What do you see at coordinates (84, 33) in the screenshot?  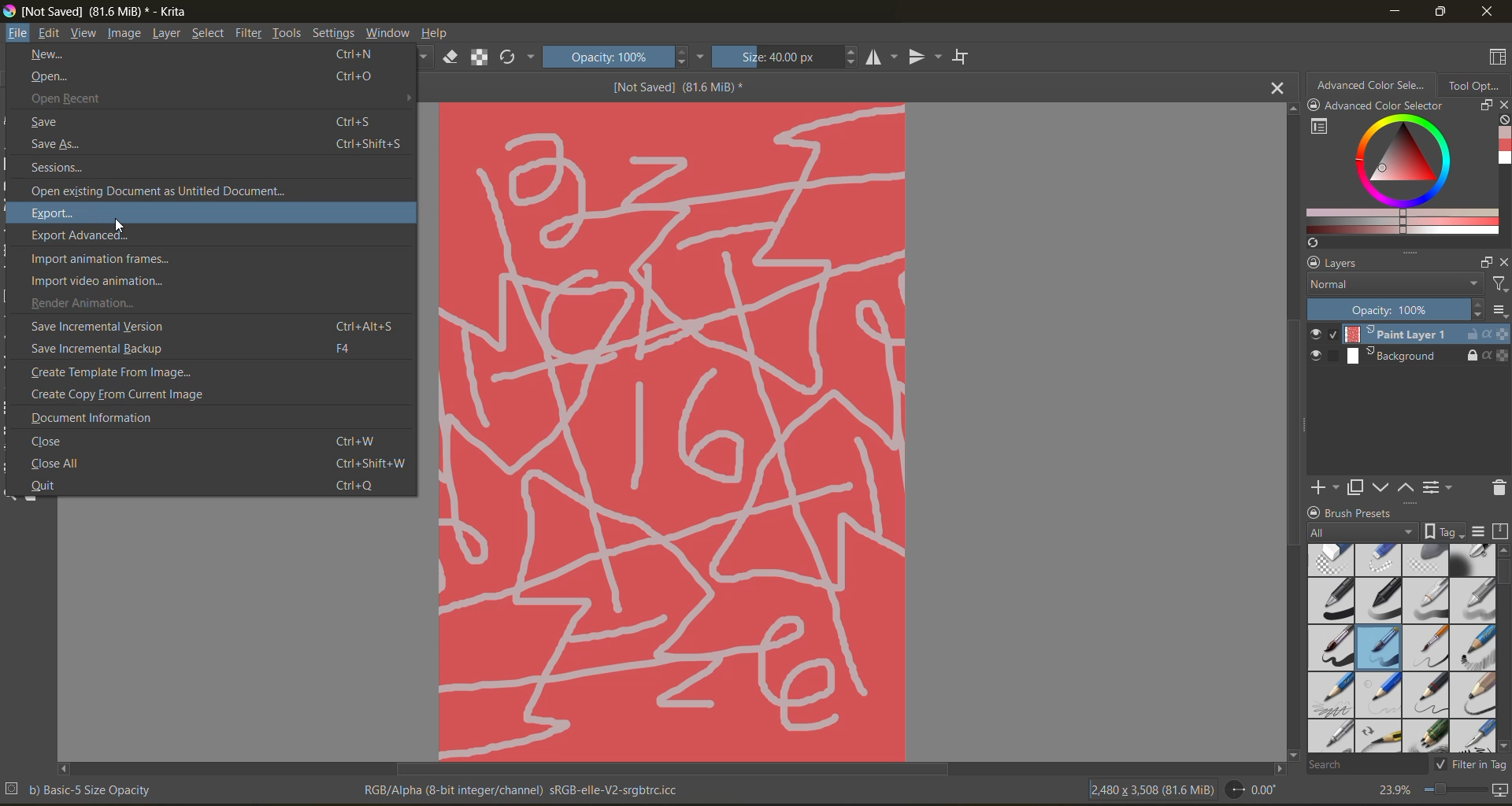 I see `view` at bounding box center [84, 33].